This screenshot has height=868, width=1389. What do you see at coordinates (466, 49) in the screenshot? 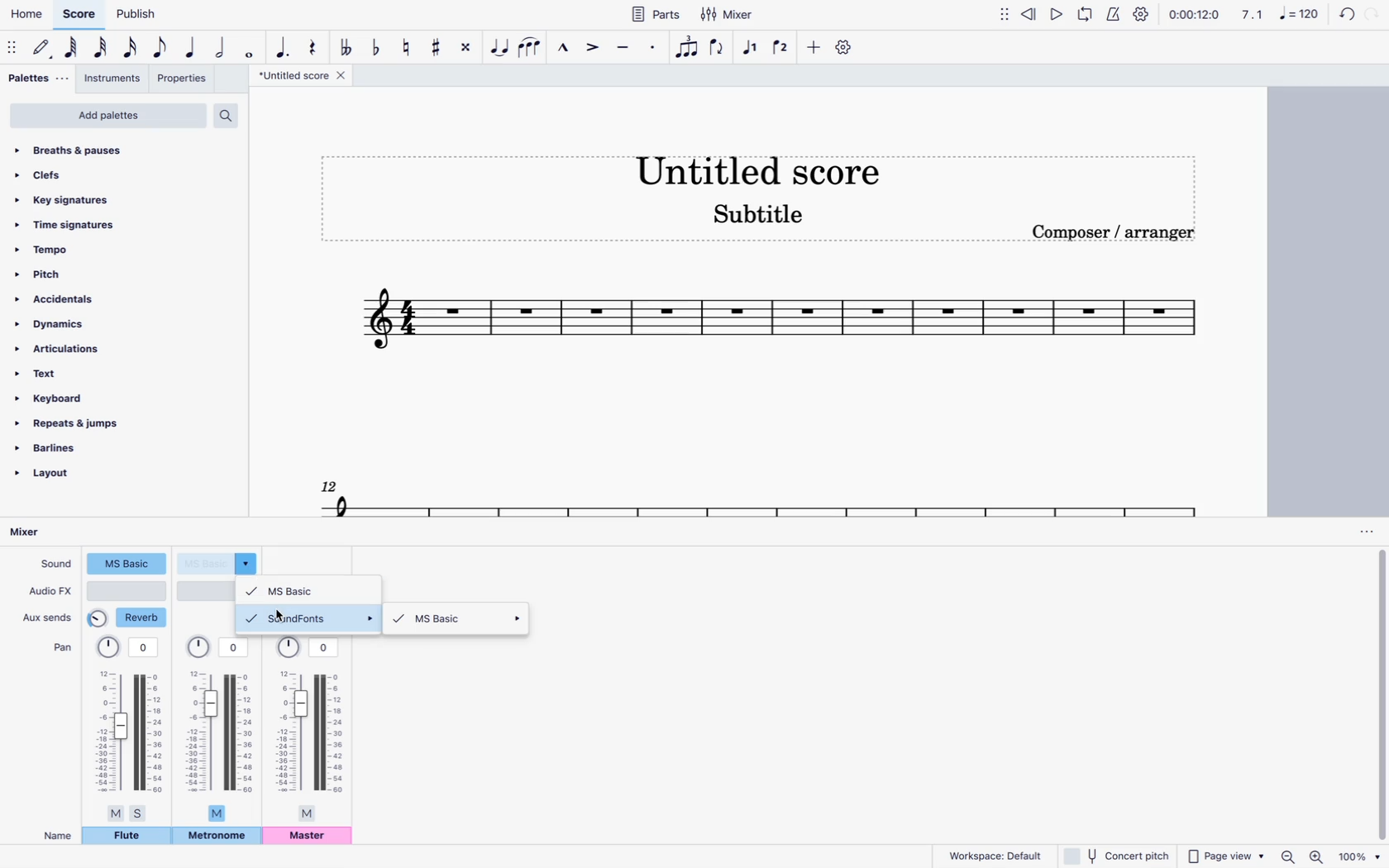
I see `toggle double sharp` at bounding box center [466, 49].